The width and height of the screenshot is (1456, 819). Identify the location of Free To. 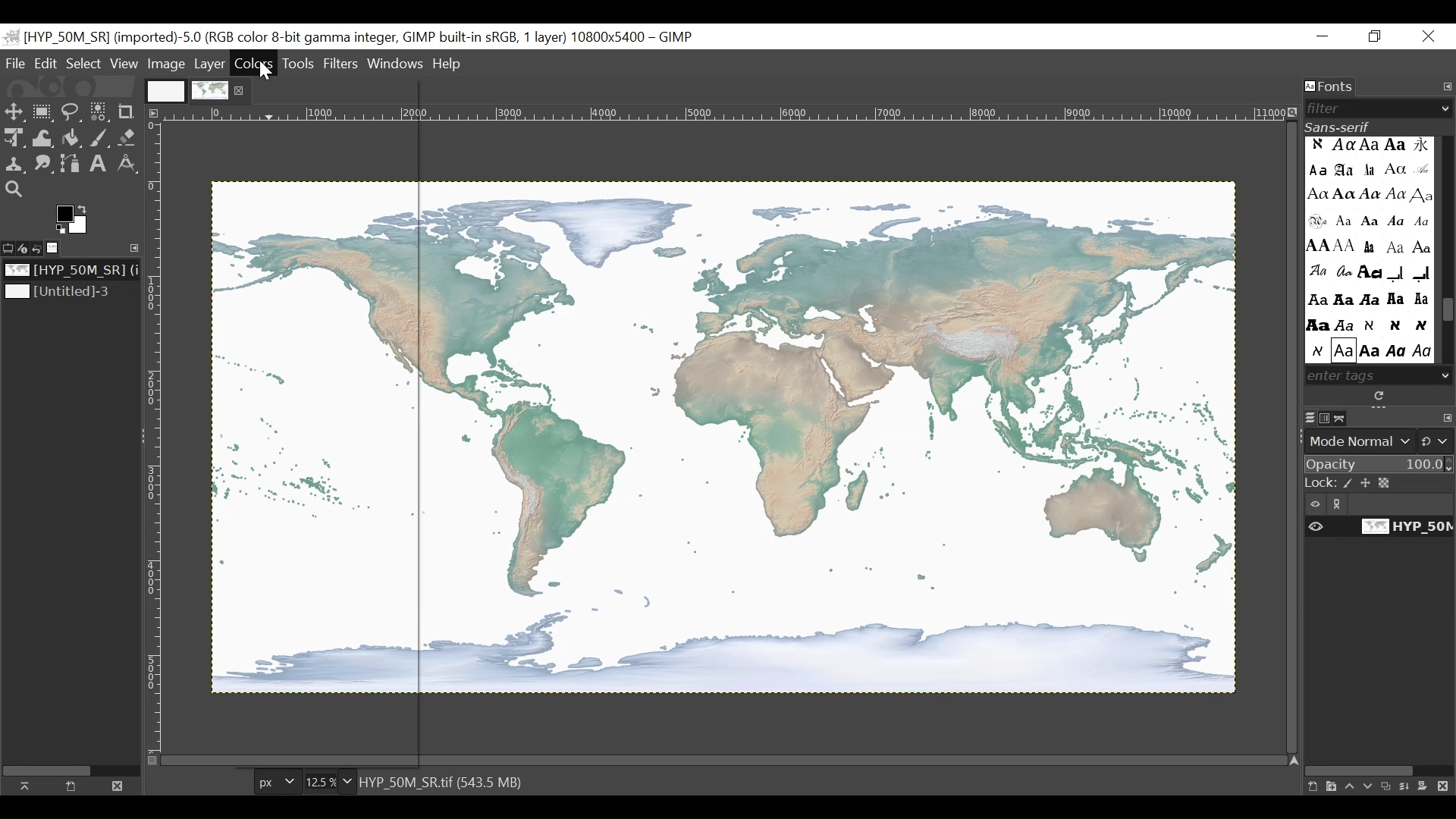
(71, 115).